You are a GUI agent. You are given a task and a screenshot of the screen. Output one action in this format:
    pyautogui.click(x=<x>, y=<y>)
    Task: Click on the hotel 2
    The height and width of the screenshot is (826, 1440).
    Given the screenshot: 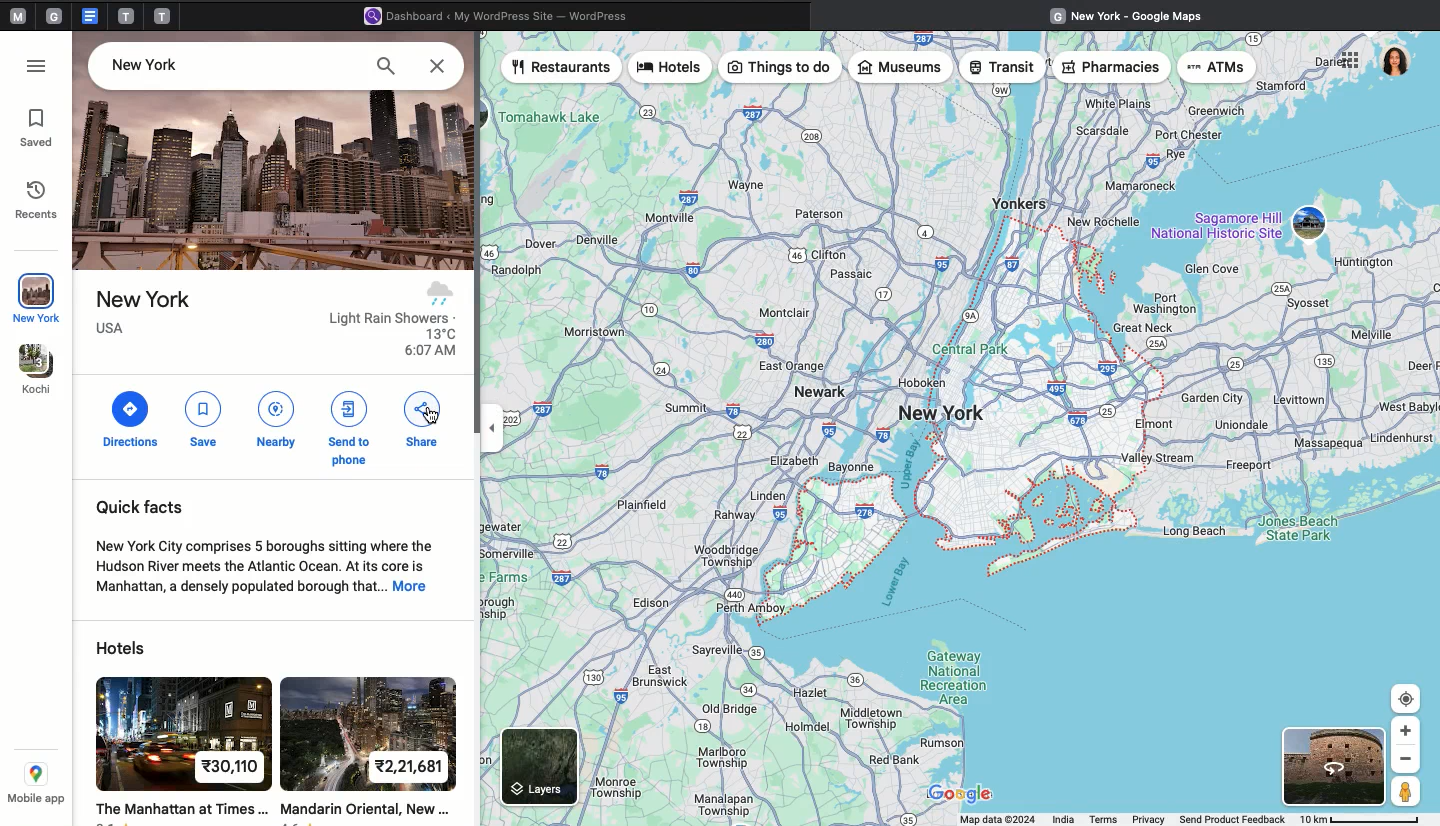 What is the action you would take?
    pyautogui.click(x=365, y=737)
    